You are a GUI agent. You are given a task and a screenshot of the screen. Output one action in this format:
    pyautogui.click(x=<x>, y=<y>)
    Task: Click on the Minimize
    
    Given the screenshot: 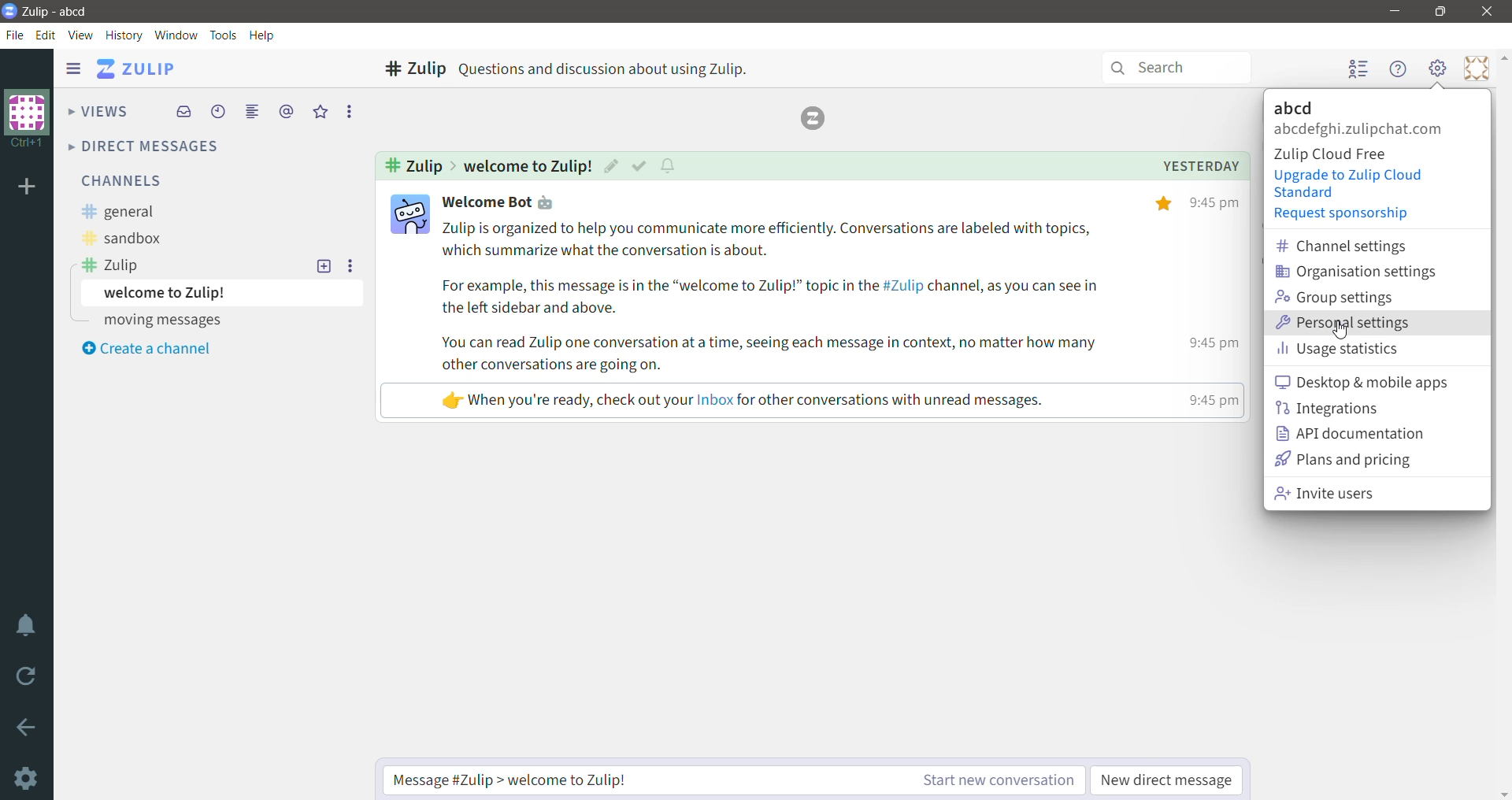 What is the action you would take?
    pyautogui.click(x=1396, y=11)
    